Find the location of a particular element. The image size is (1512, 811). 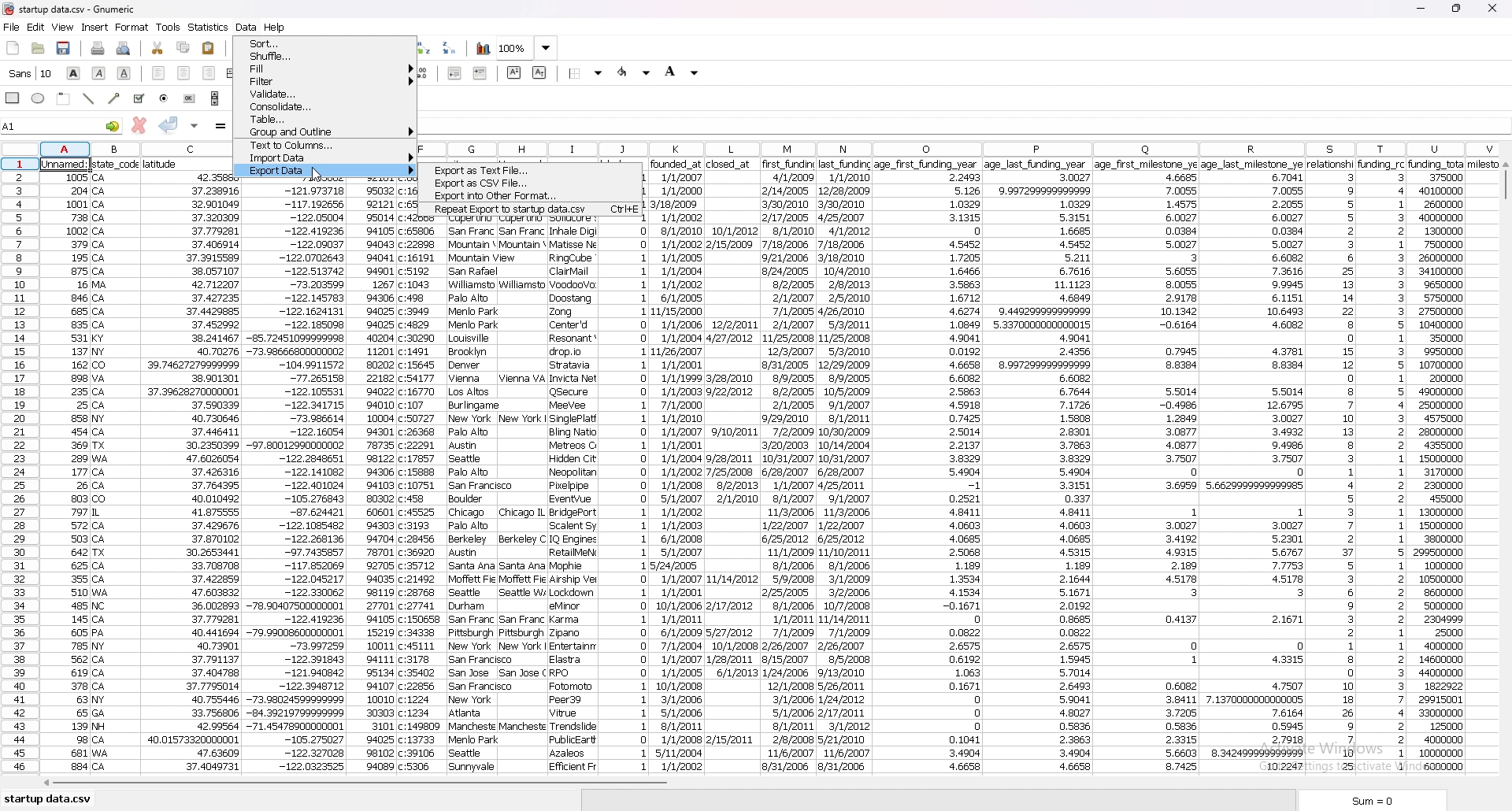

validate is located at coordinates (324, 93).